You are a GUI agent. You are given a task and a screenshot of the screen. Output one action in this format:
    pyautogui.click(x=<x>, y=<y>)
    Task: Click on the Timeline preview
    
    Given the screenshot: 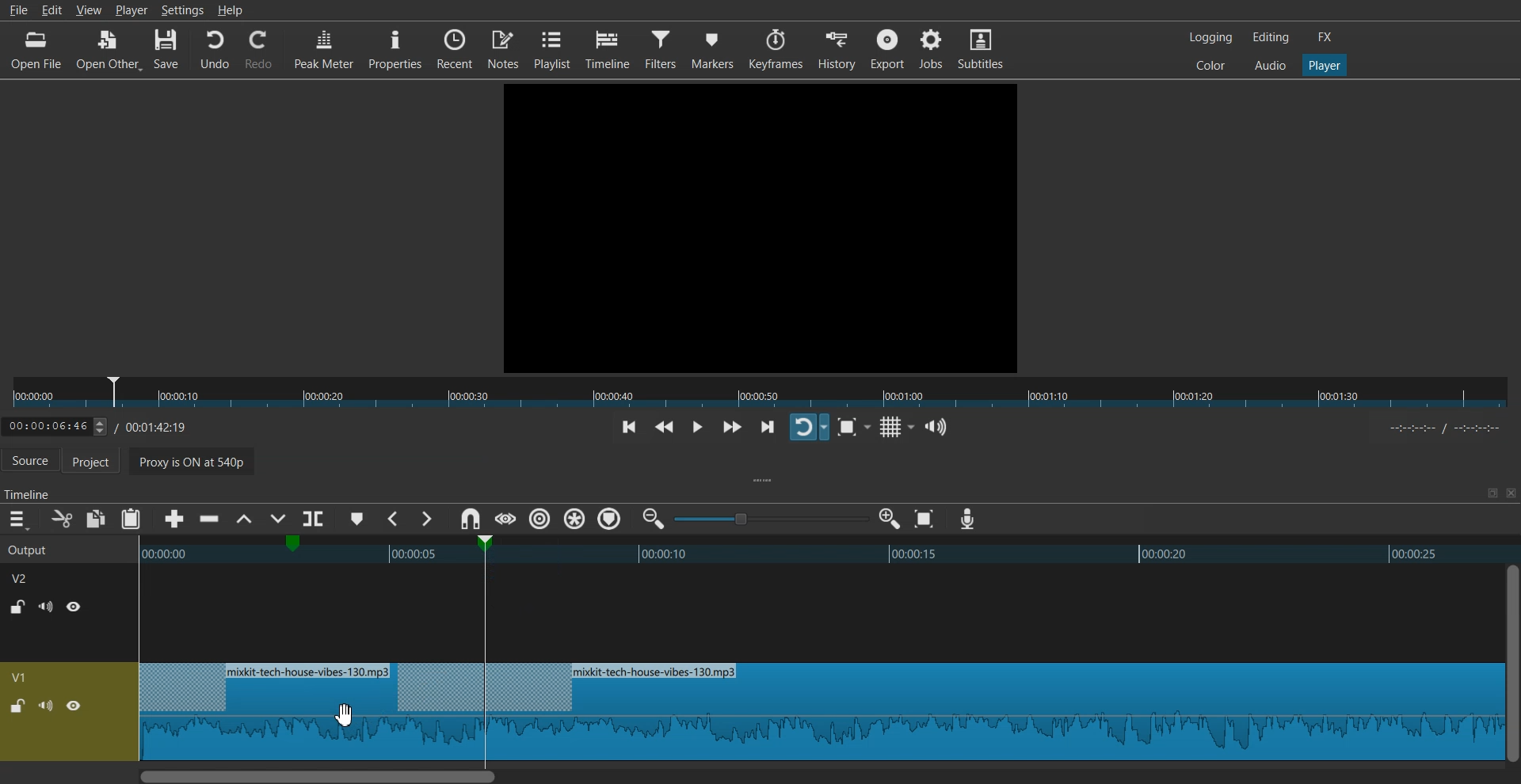 What is the action you would take?
    pyautogui.click(x=817, y=552)
    